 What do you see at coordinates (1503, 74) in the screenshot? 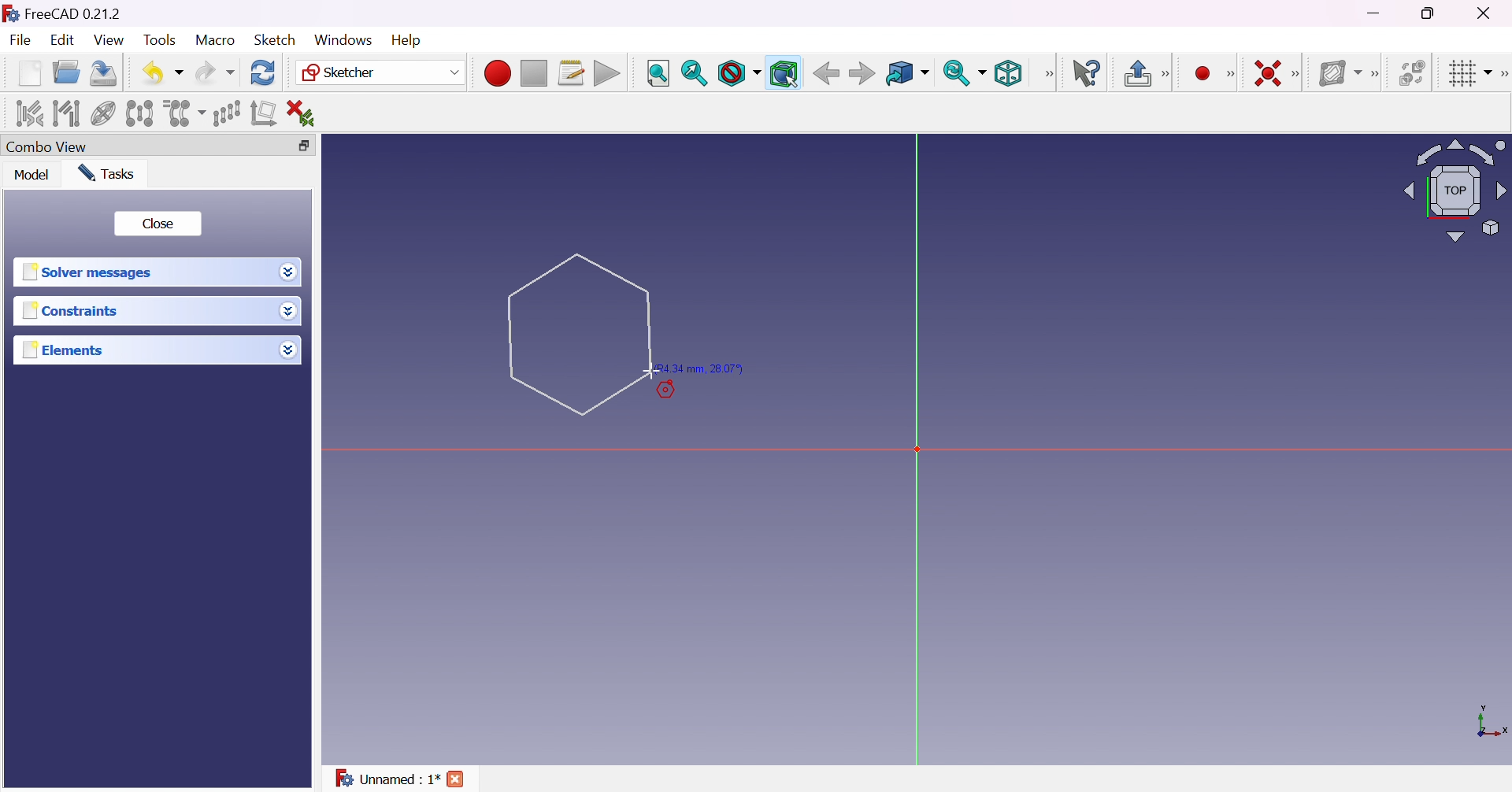
I see `[Sketcher edit tools]` at bounding box center [1503, 74].